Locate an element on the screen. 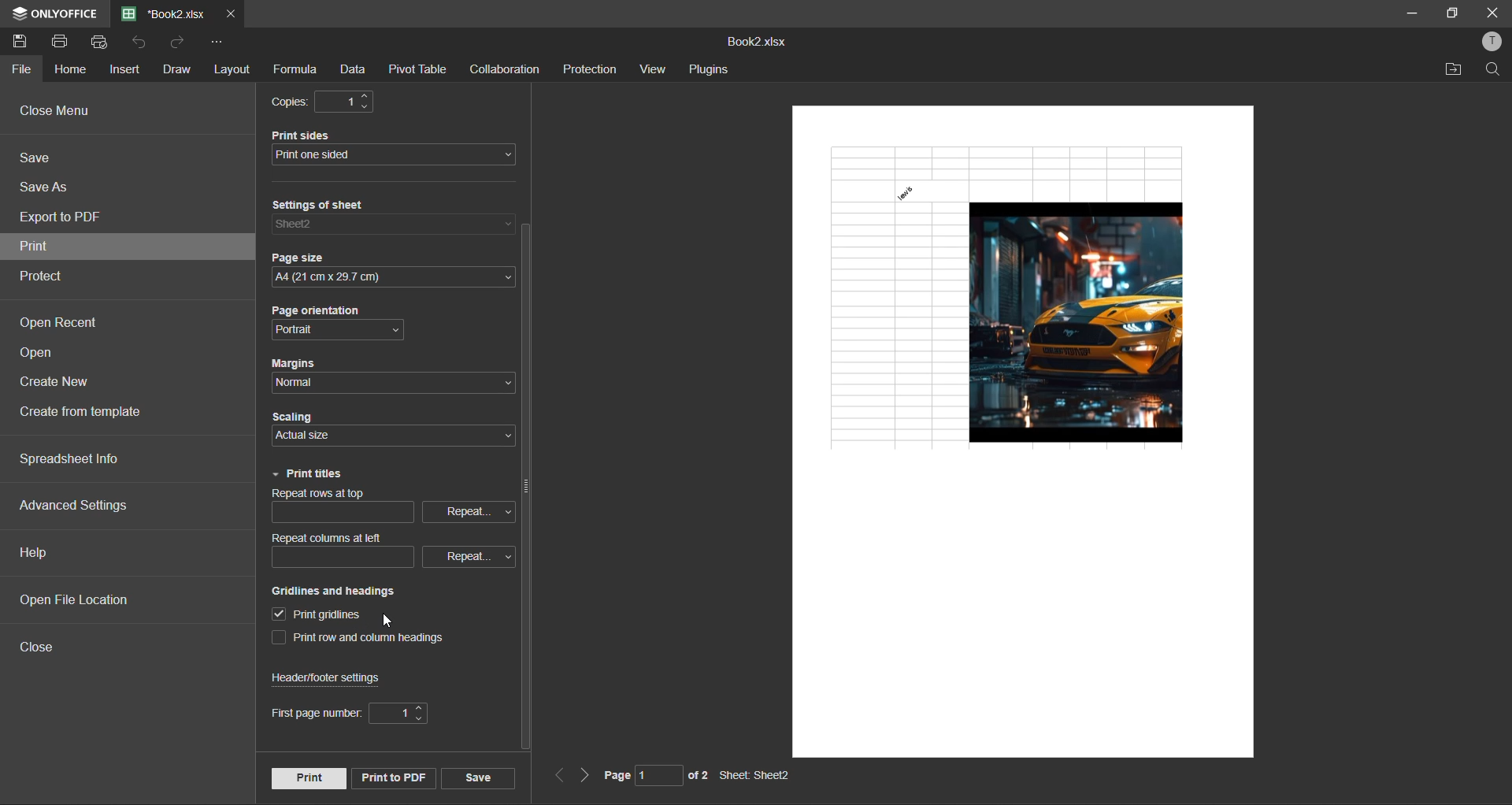  plugins is located at coordinates (707, 69).